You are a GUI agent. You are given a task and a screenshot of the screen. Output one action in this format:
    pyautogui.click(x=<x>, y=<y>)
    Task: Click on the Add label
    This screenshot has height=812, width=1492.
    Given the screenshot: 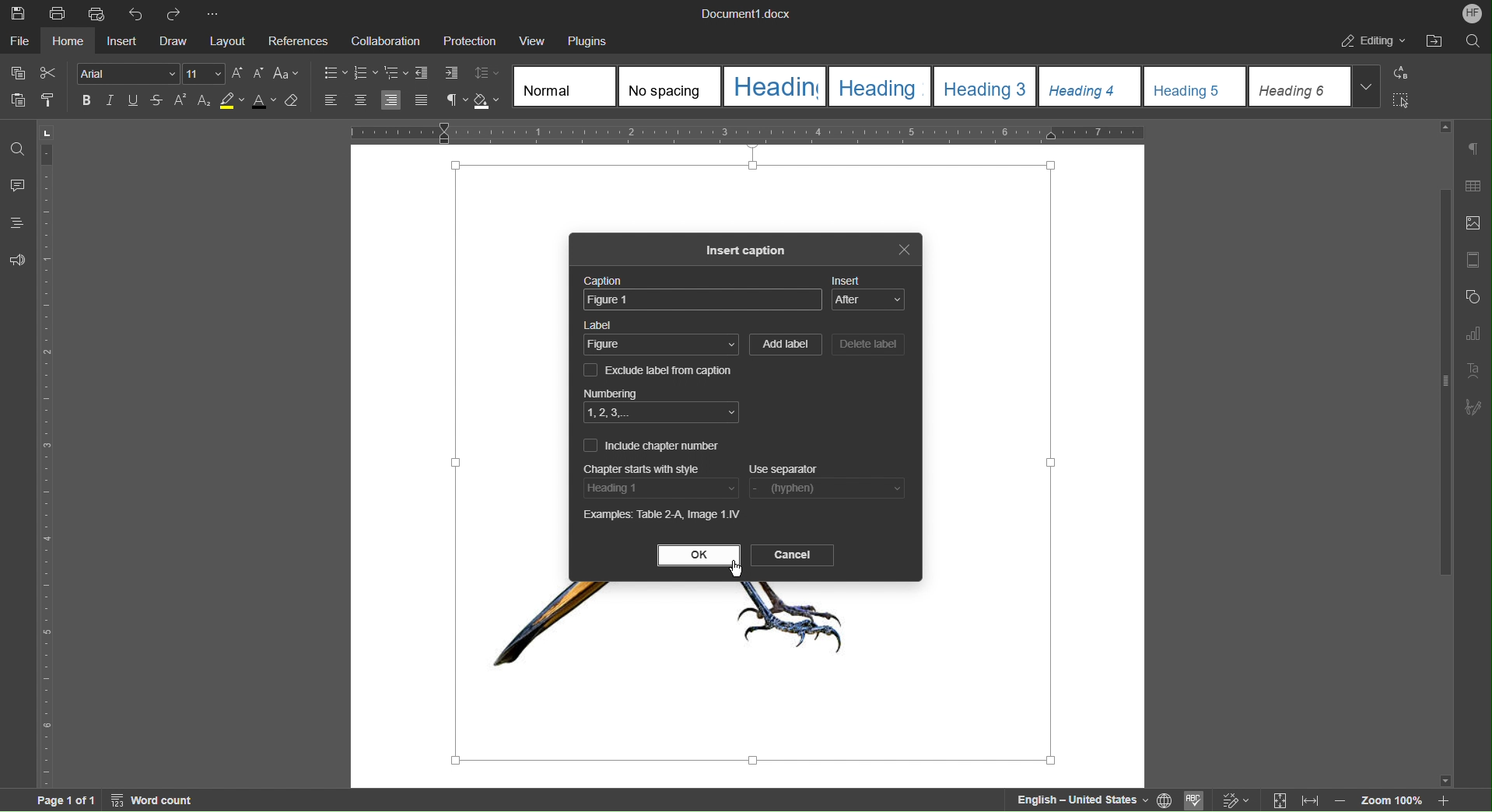 What is the action you would take?
    pyautogui.click(x=786, y=346)
    